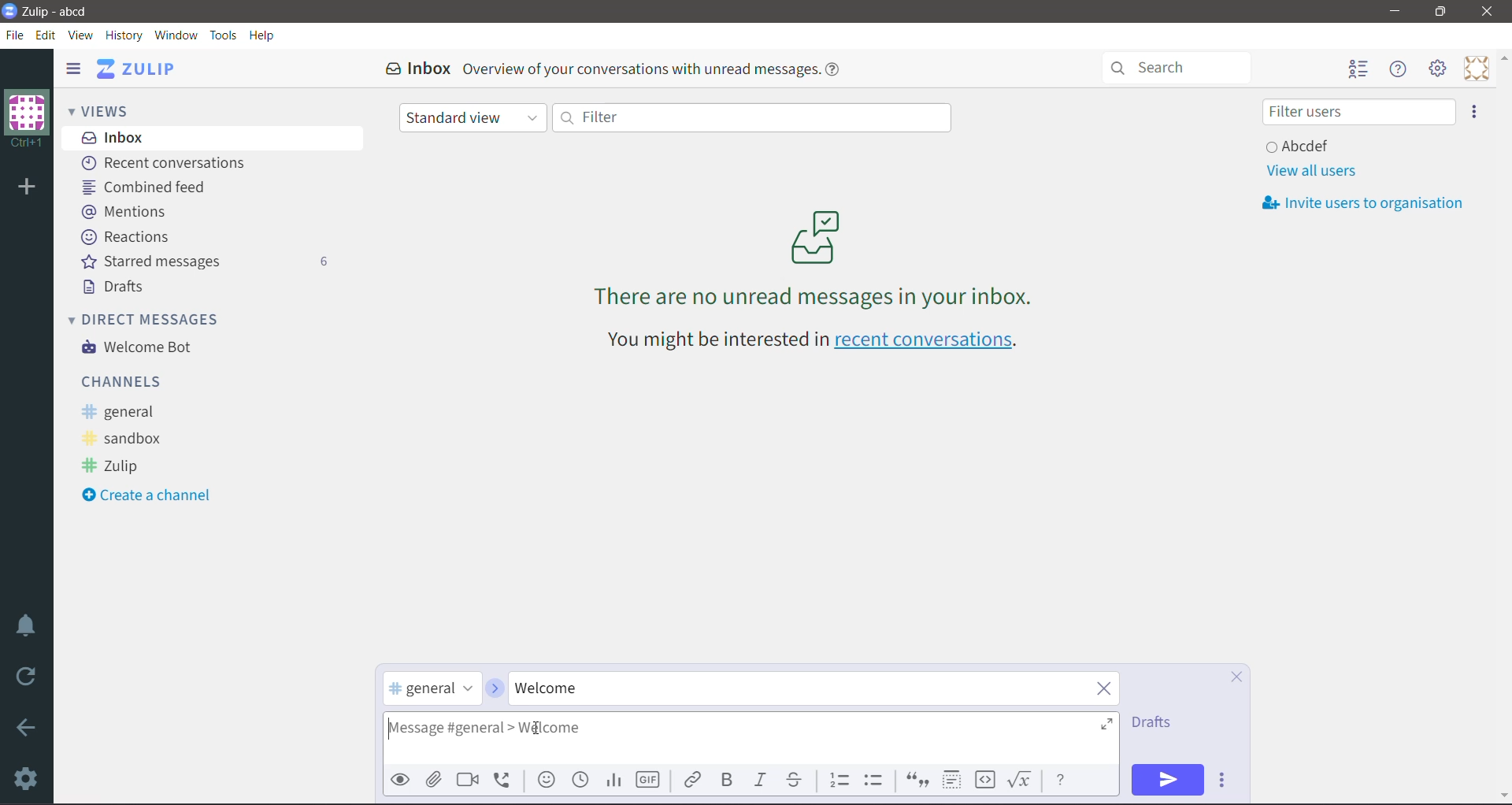 The width and height of the screenshot is (1512, 805). Describe the element at coordinates (726, 780) in the screenshot. I see `Bold` at that location.